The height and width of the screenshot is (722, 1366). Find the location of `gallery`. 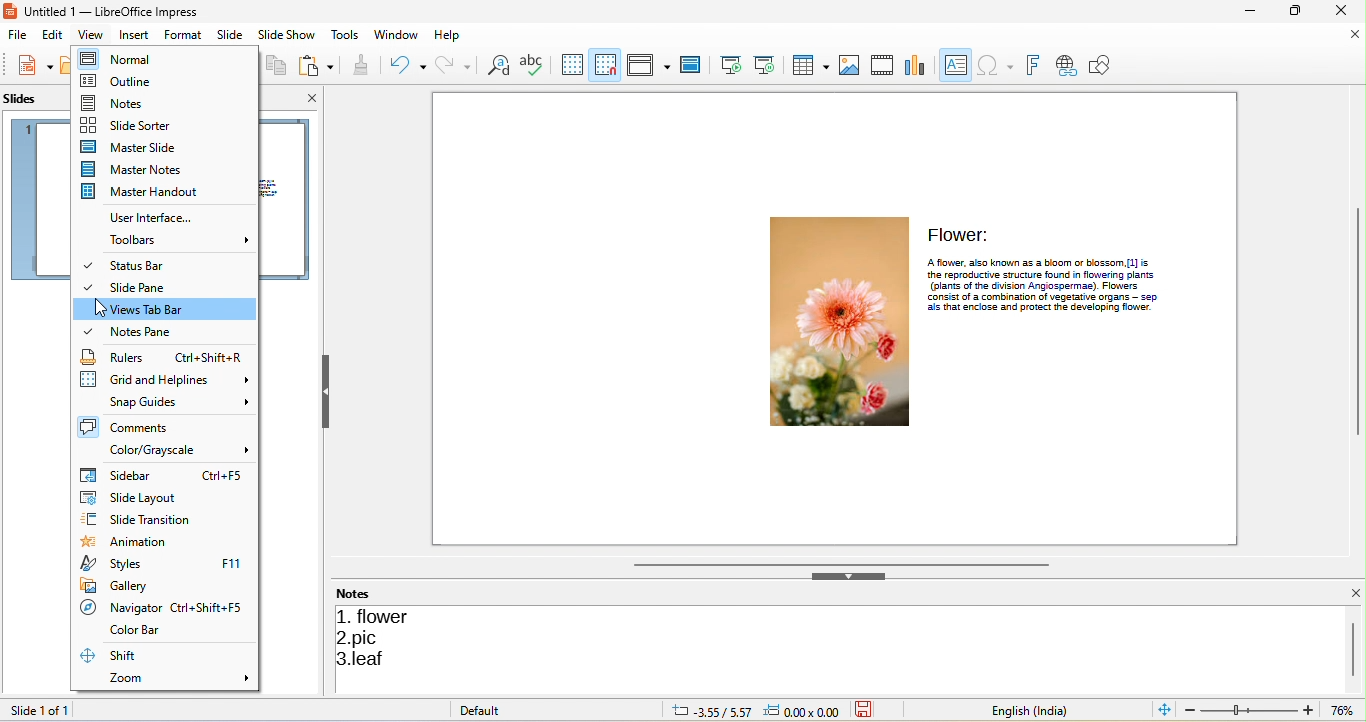

gallery is located at coordinates (142, 585).